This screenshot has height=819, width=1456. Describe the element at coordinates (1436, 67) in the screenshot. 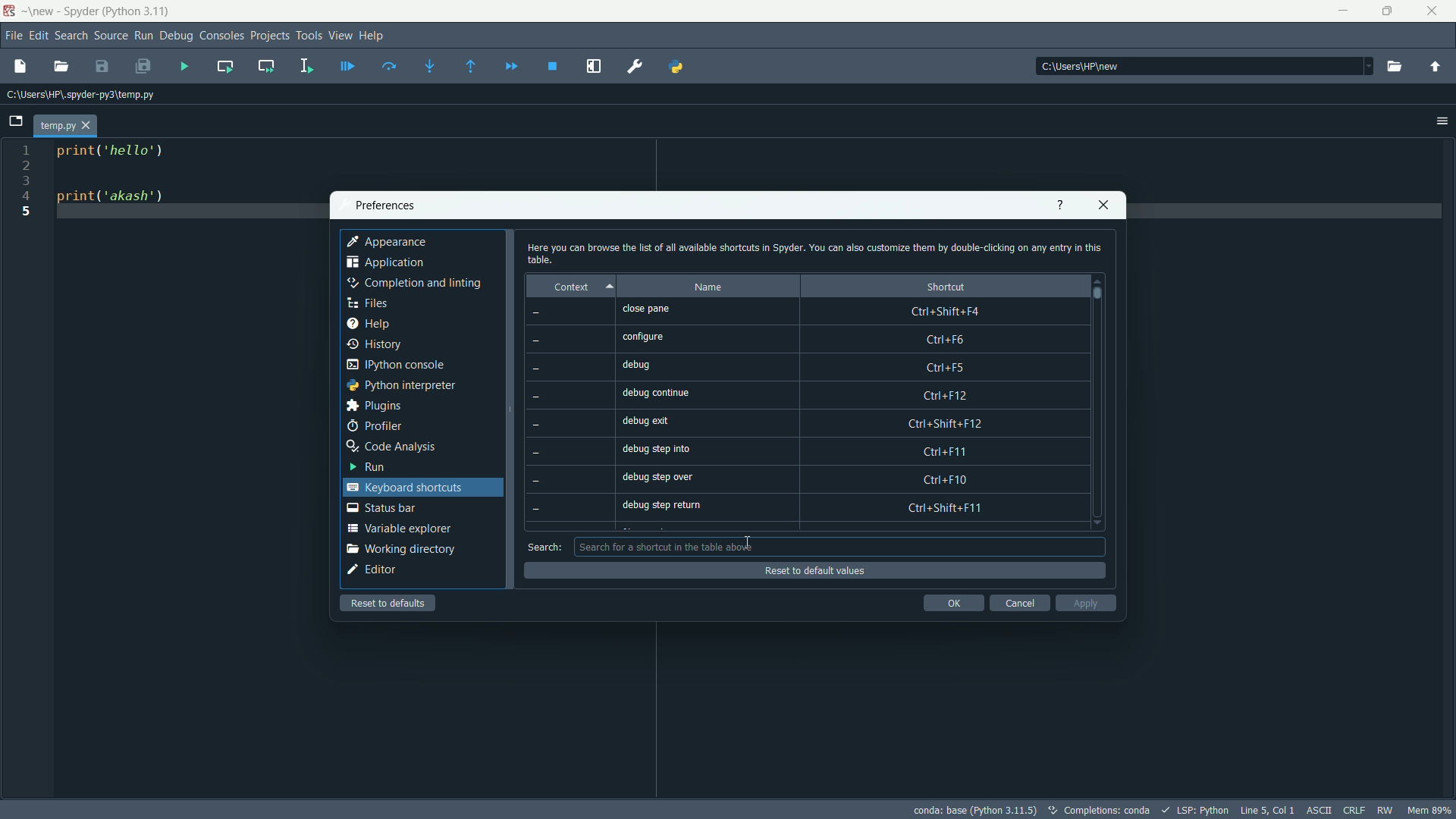

I see `parent directory` at that location.